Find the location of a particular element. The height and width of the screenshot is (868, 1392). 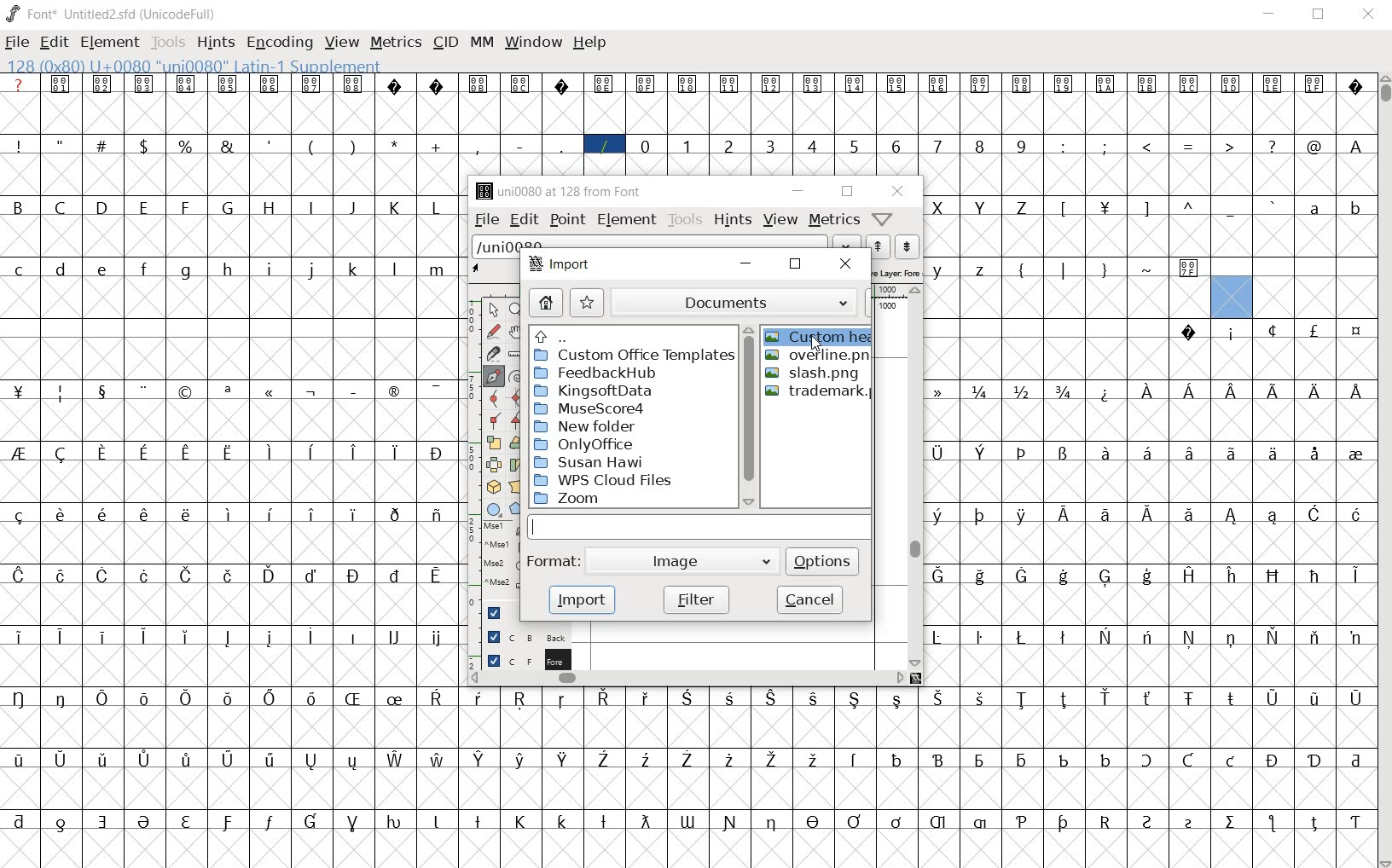

glyph is located at coordinates (1356, 823).